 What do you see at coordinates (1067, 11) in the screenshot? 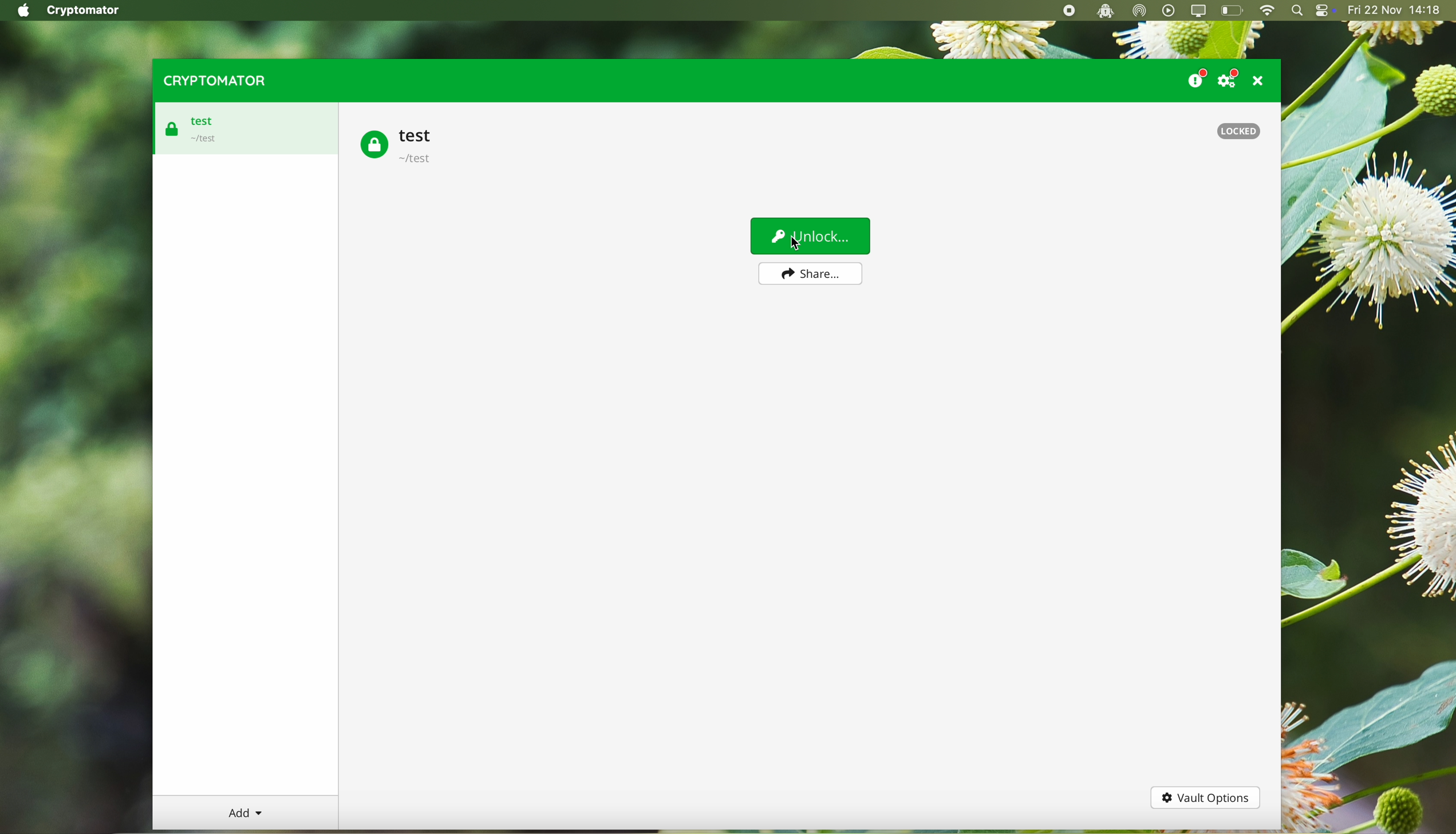
I see `stop recording` at bounding box center [1067, 11].